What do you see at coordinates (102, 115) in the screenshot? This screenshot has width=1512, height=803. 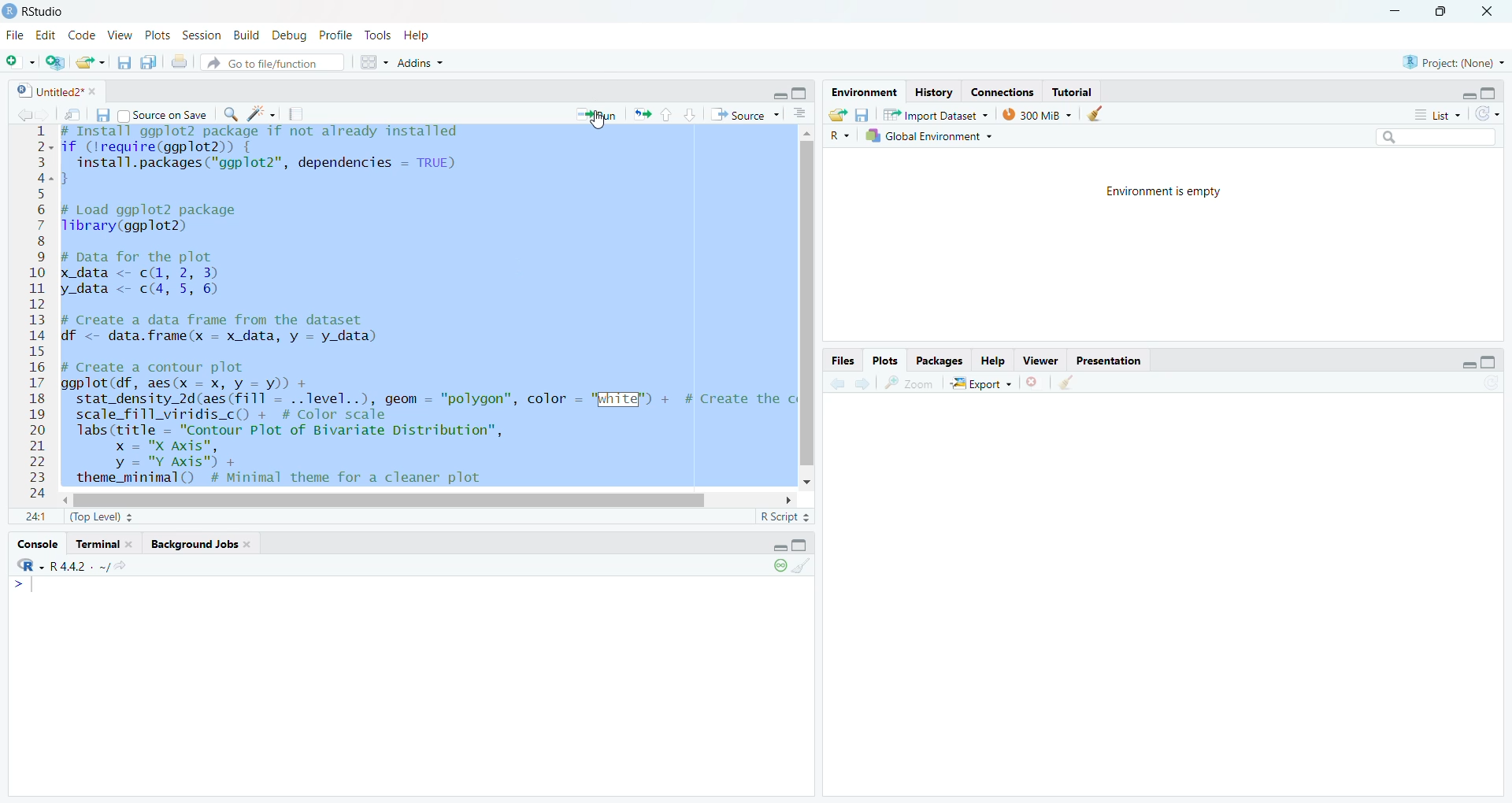 I see `save` at bounding box center [102, 115].